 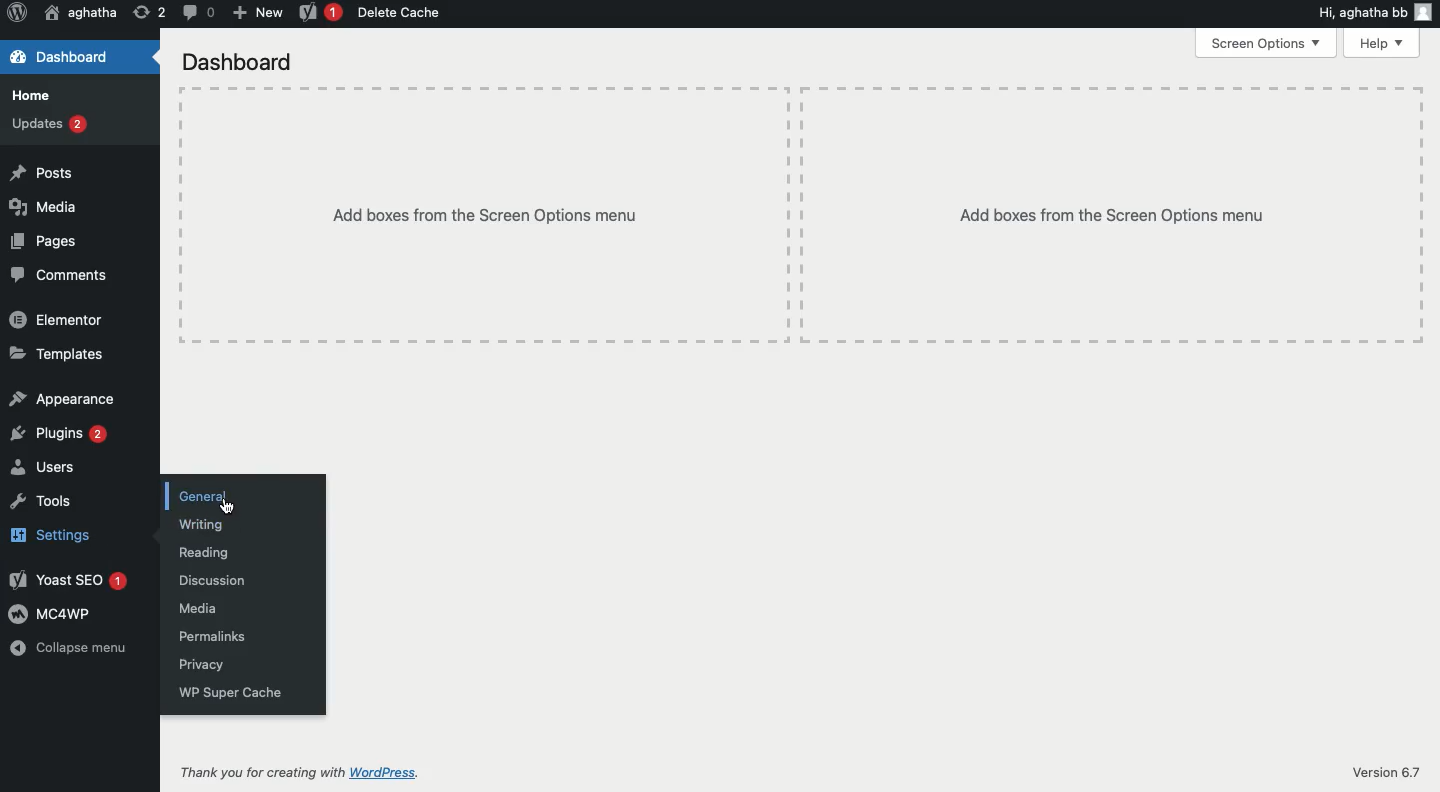 I want to click on Media, so click(x=43, y=208).